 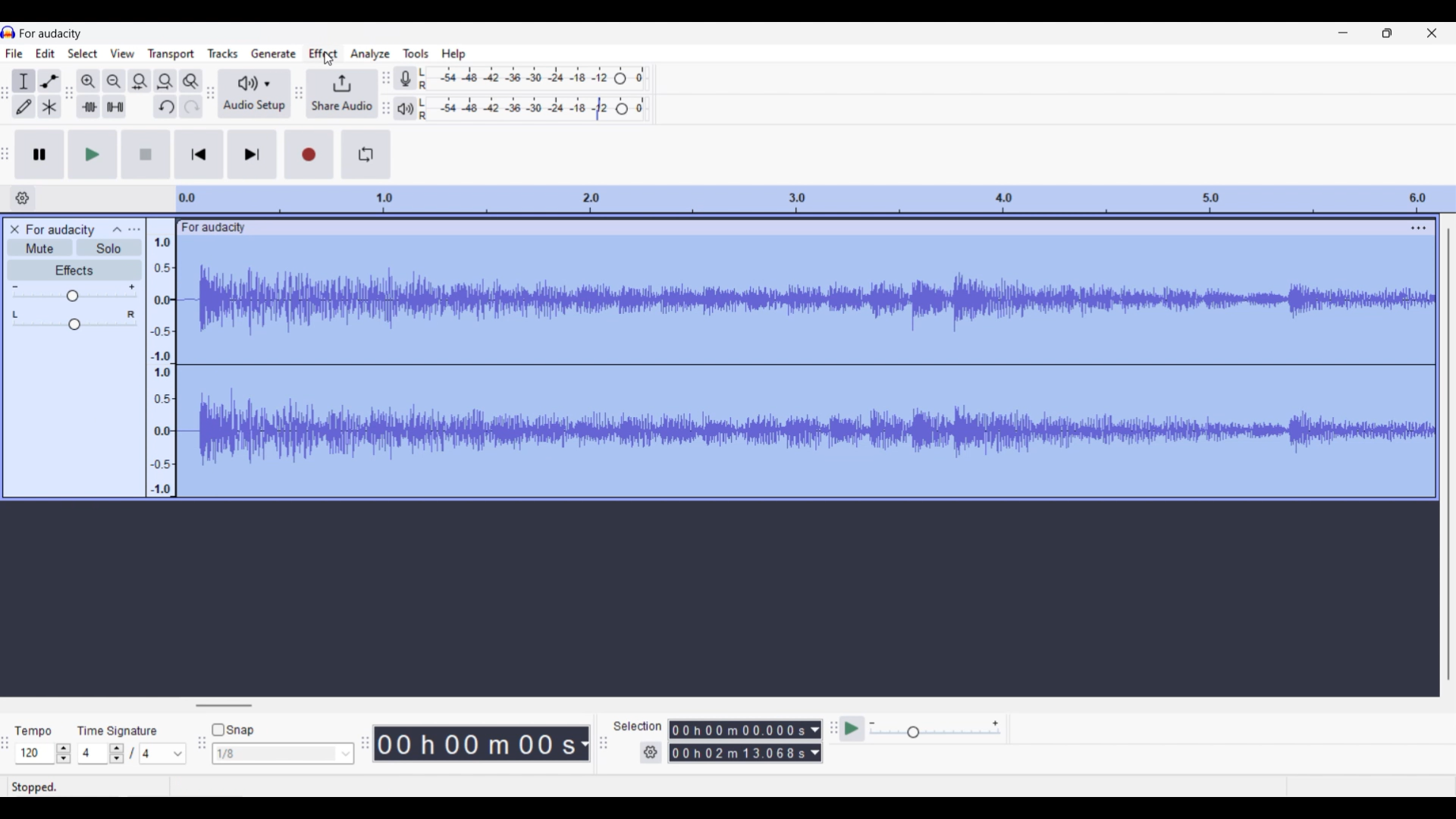 I want to click on Zoom in, so click(x=89, y=81).